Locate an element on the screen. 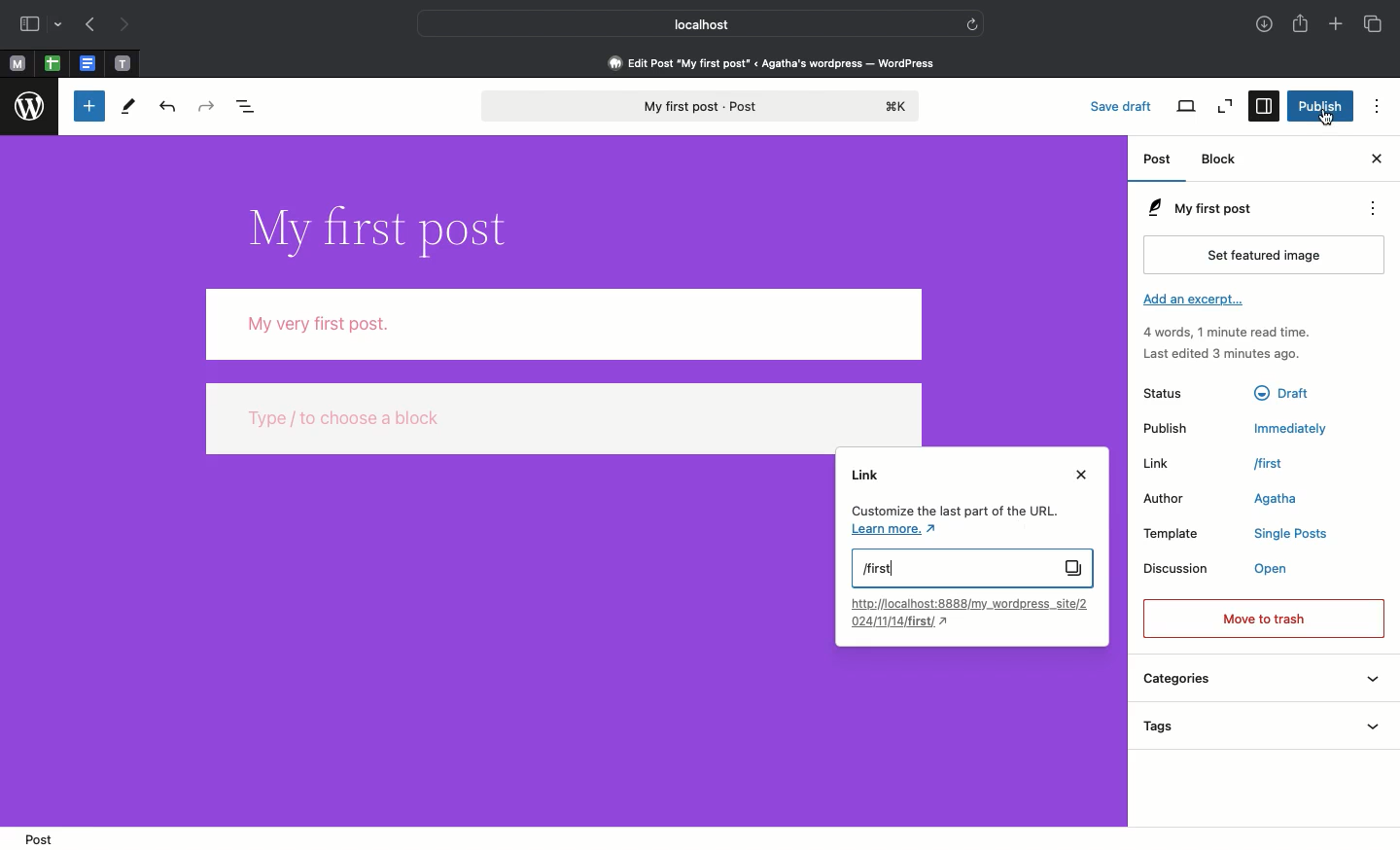 This screenshot has height=850, width=1400. My first post is located at coordinates (704, 107).